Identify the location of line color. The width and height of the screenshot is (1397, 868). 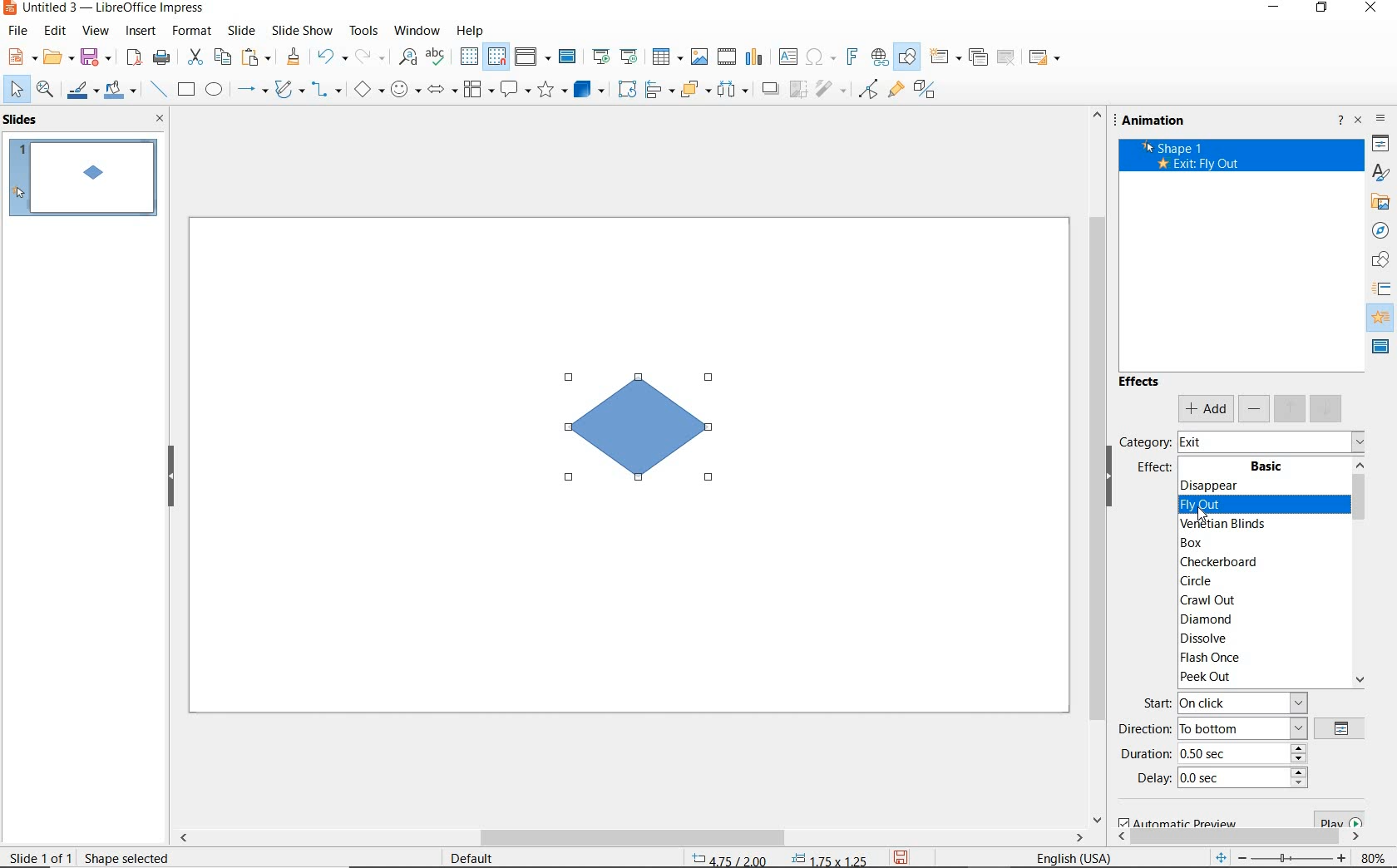
(81, 92).